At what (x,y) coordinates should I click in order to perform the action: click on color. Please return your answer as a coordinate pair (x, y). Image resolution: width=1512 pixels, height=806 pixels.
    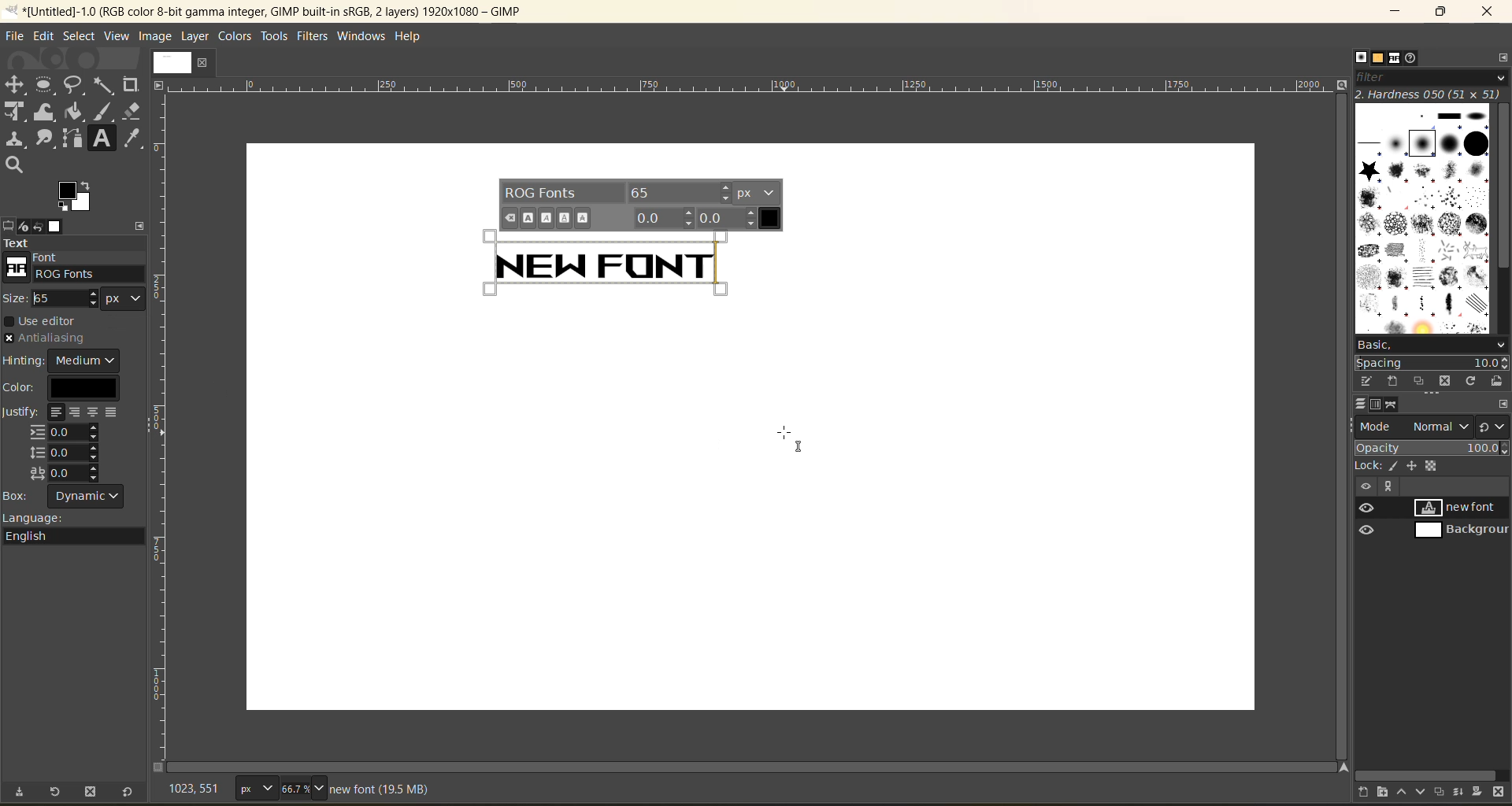
    Looking at the image, I should click on (60, 388).